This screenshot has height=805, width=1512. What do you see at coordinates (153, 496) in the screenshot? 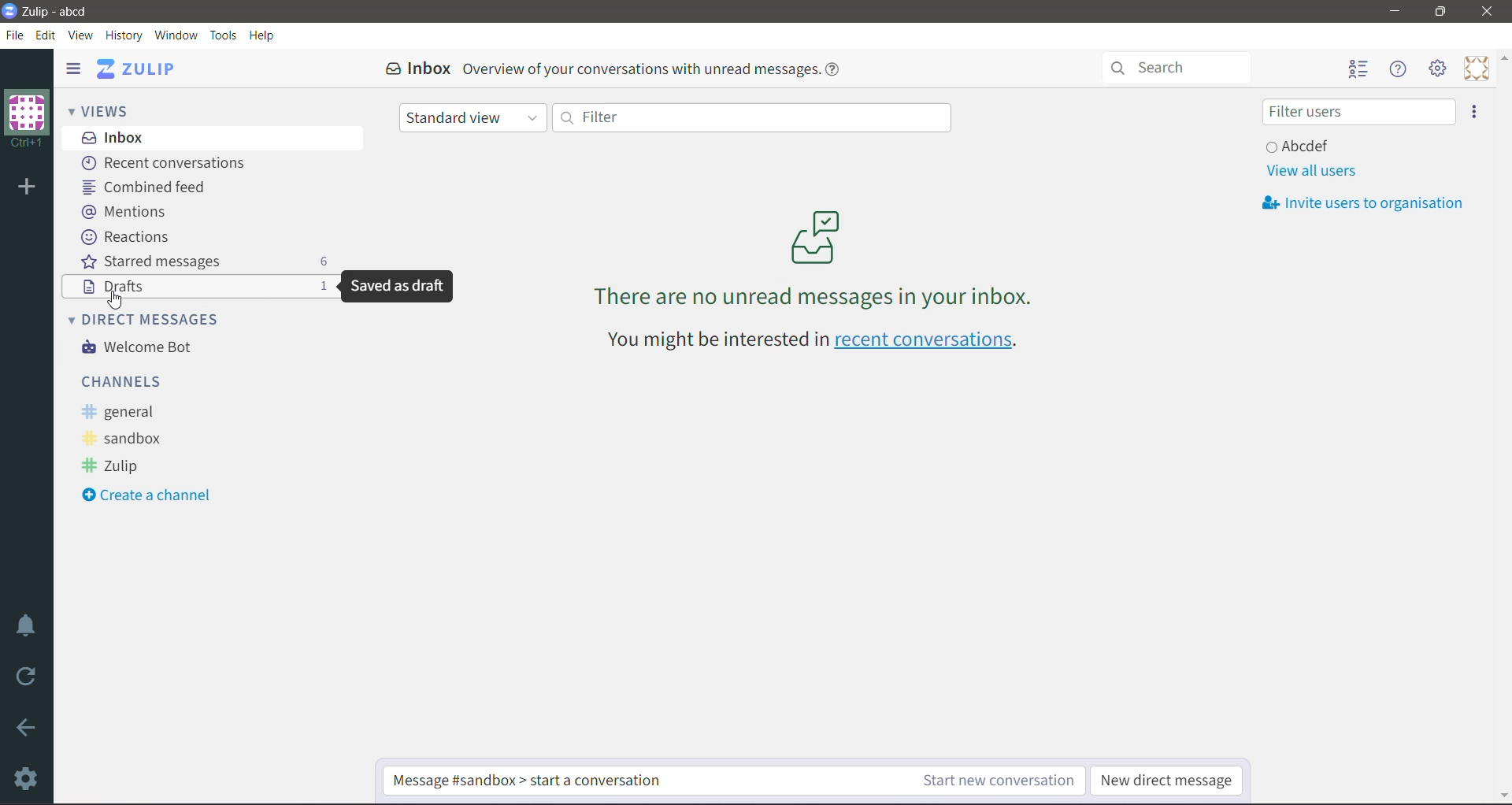
I see `Create a Channel` at bounding box center [153, 496].